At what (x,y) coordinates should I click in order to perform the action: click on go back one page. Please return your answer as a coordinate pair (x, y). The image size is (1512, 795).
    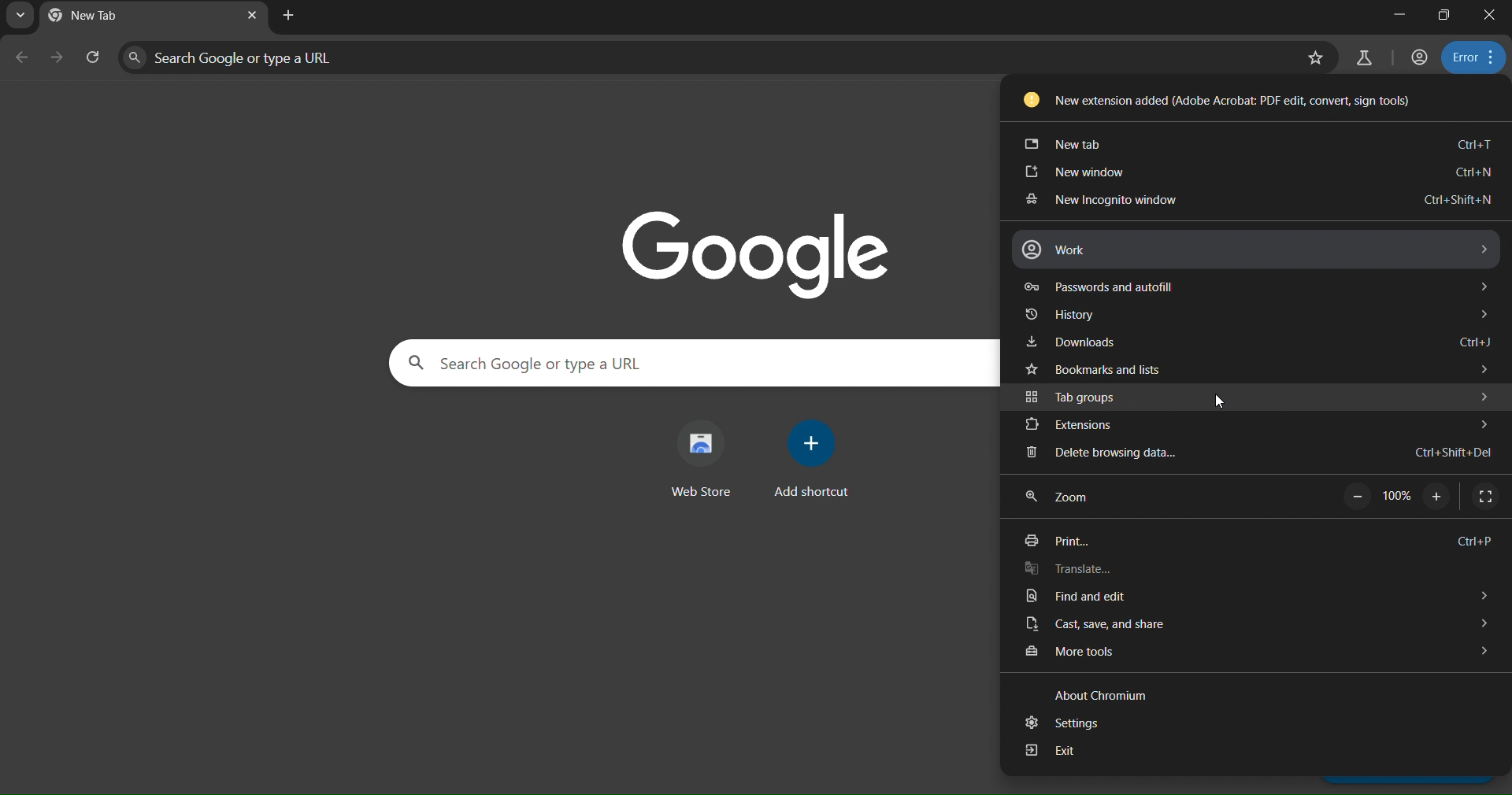
    Looking at the image, I should click on (22, 58).